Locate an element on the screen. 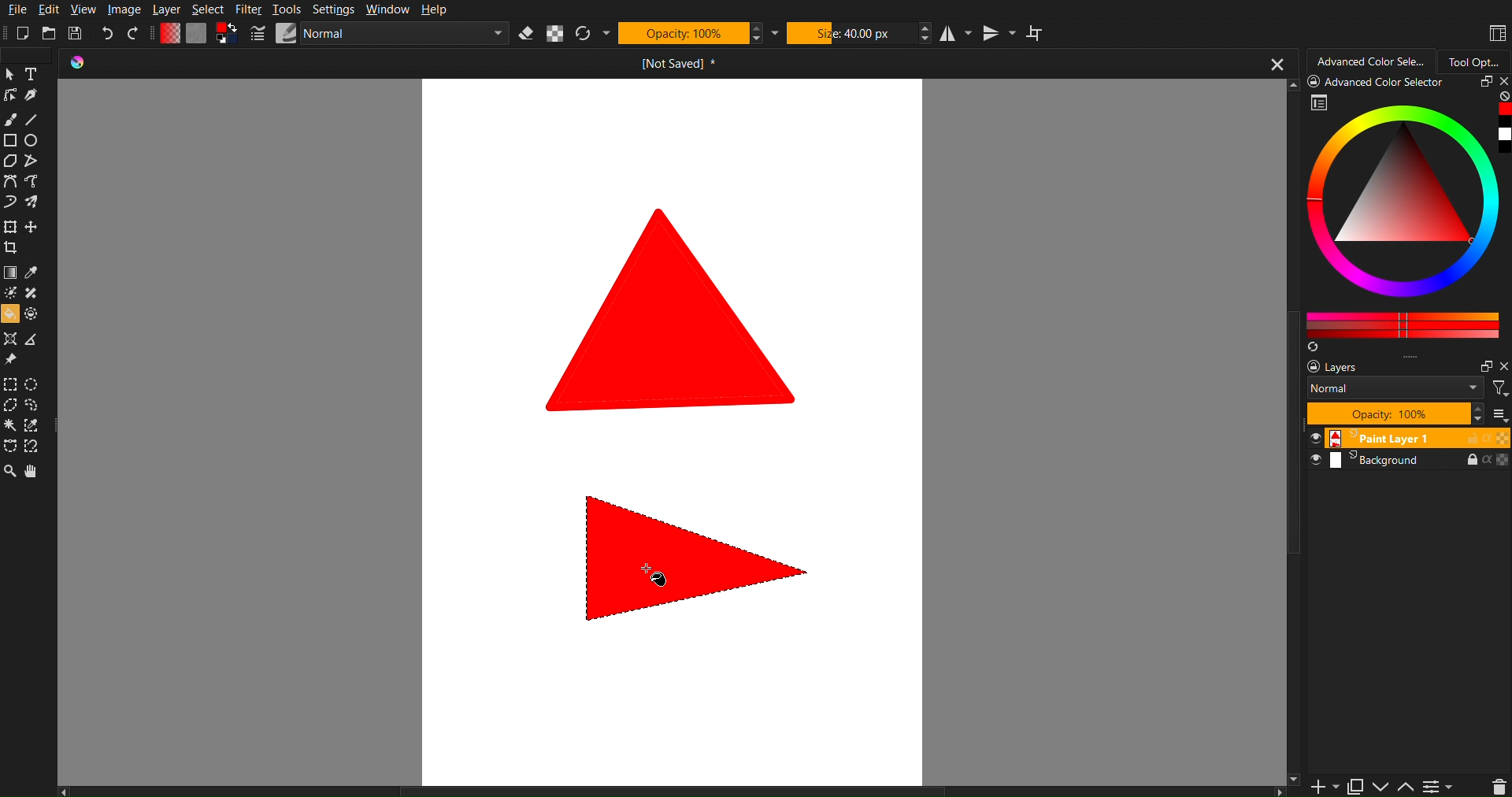  Undo is located at coordinates (109, 33).